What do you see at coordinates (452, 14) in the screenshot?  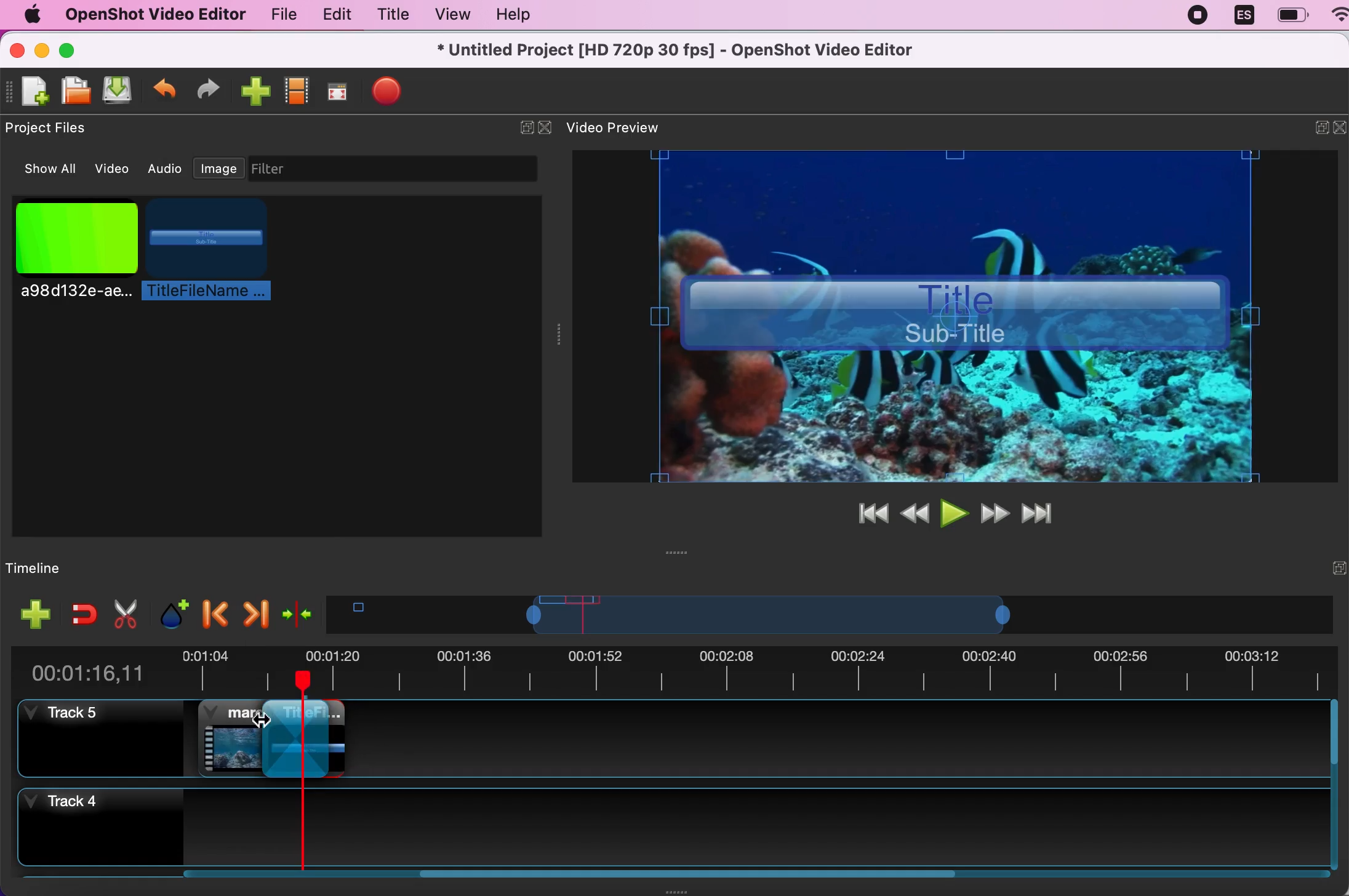 I see `view` at bounding box center [452, 14].